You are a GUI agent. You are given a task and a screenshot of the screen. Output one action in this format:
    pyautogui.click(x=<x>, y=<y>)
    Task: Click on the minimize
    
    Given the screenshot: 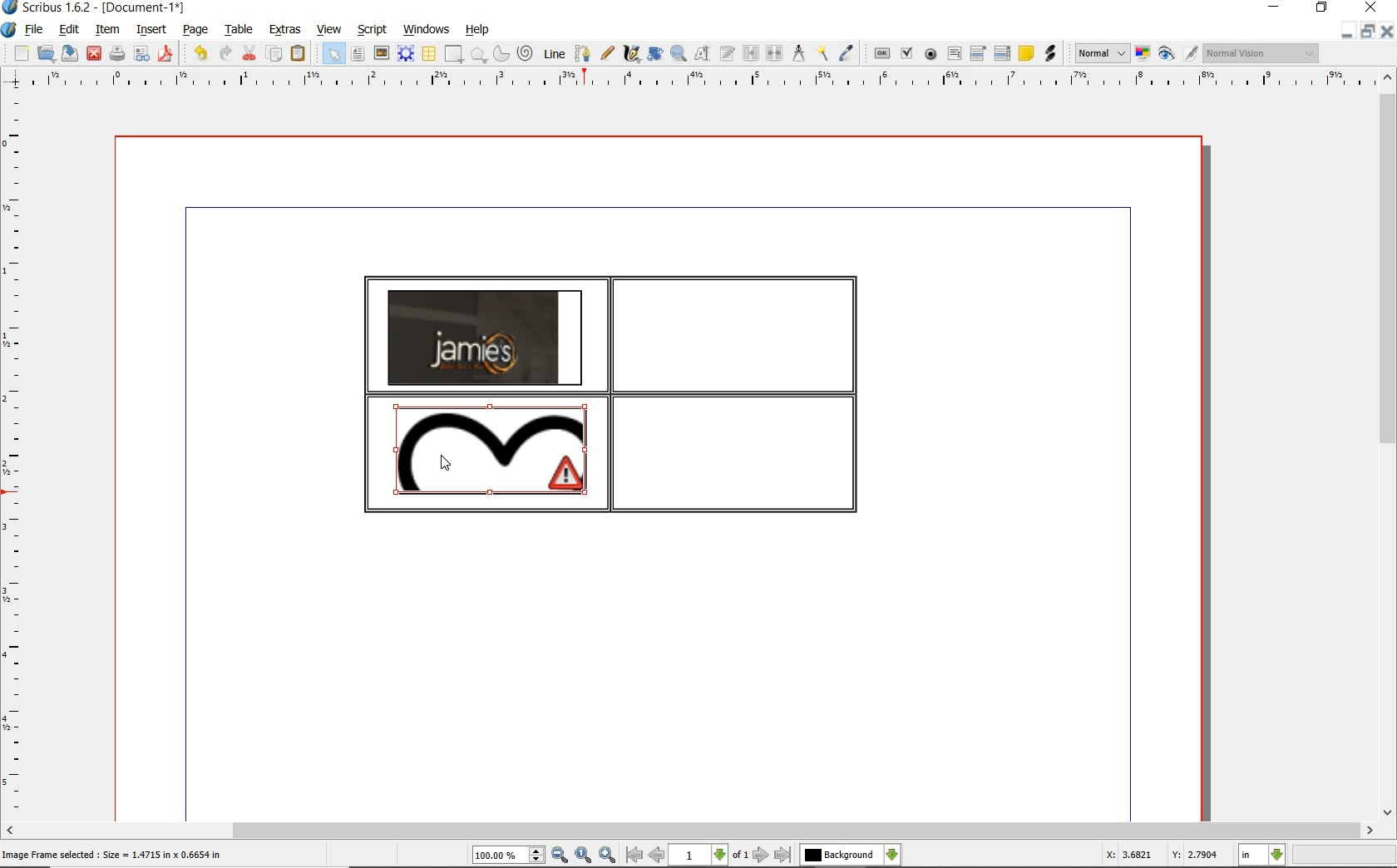 What is the action you would take?
    pyautogui.click(x=1345, y=32)
    